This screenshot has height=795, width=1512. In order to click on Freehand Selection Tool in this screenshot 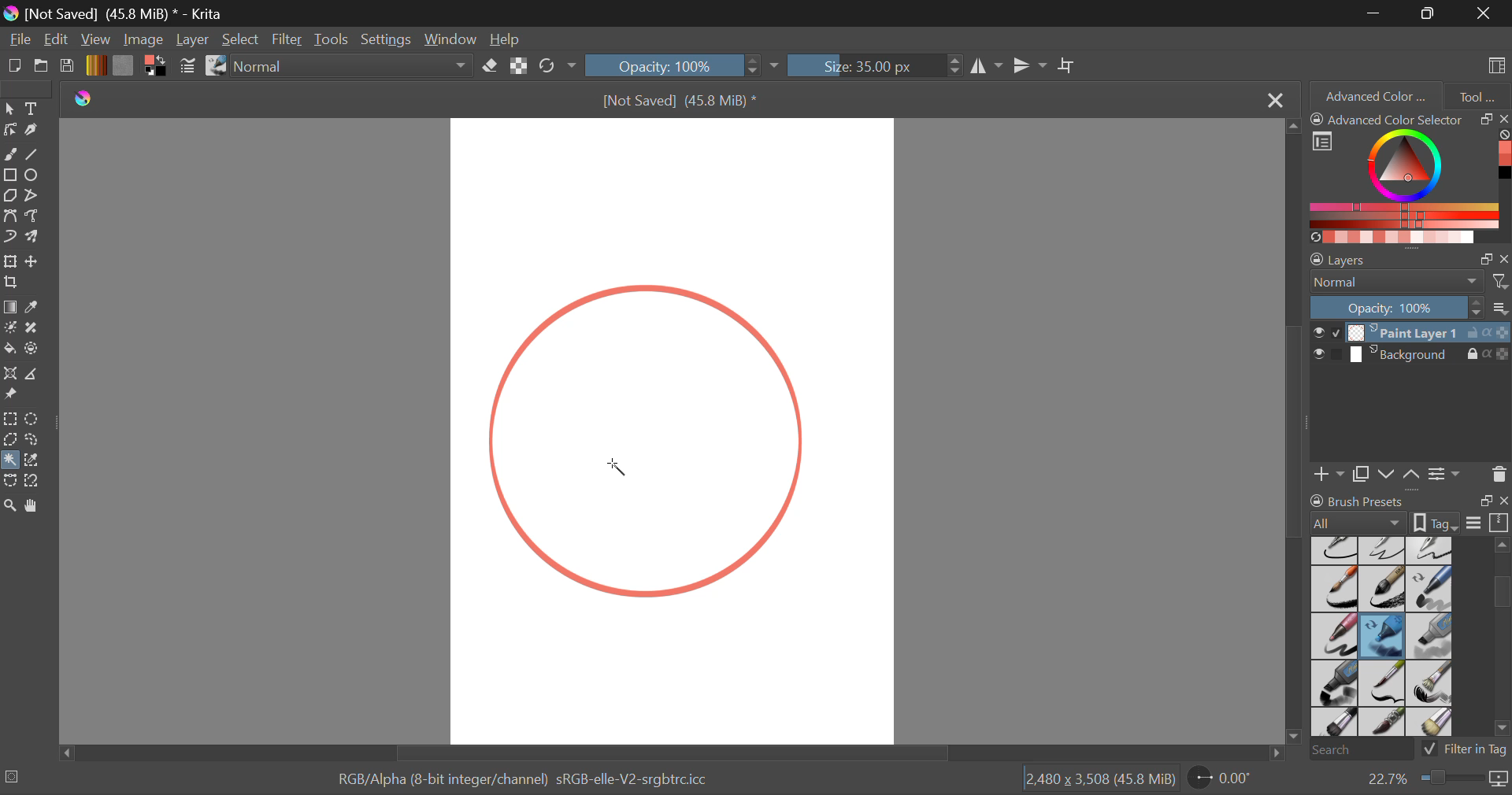, I will do `click(34, 439)`.